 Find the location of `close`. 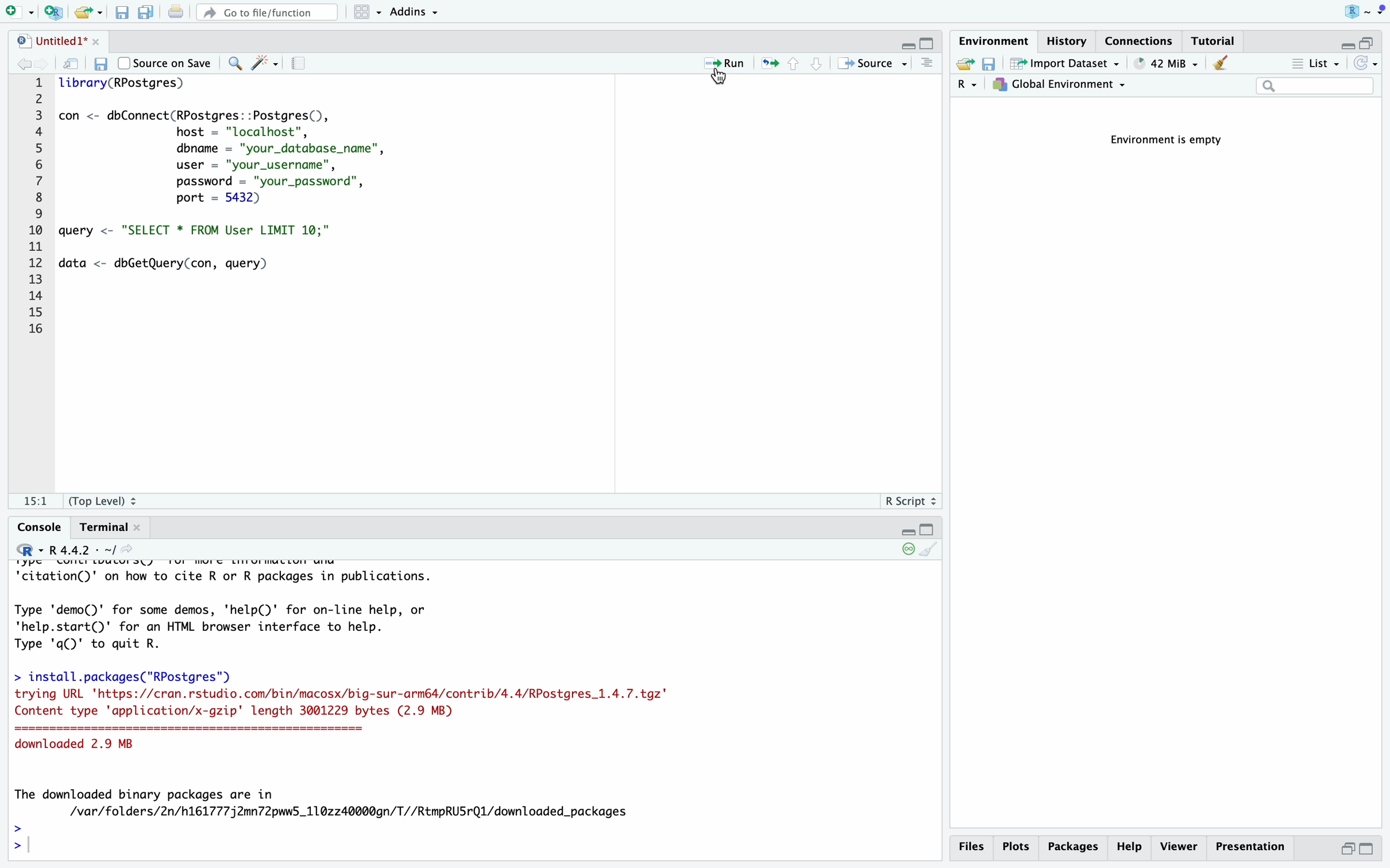

close is located at coordinates (93, 40).